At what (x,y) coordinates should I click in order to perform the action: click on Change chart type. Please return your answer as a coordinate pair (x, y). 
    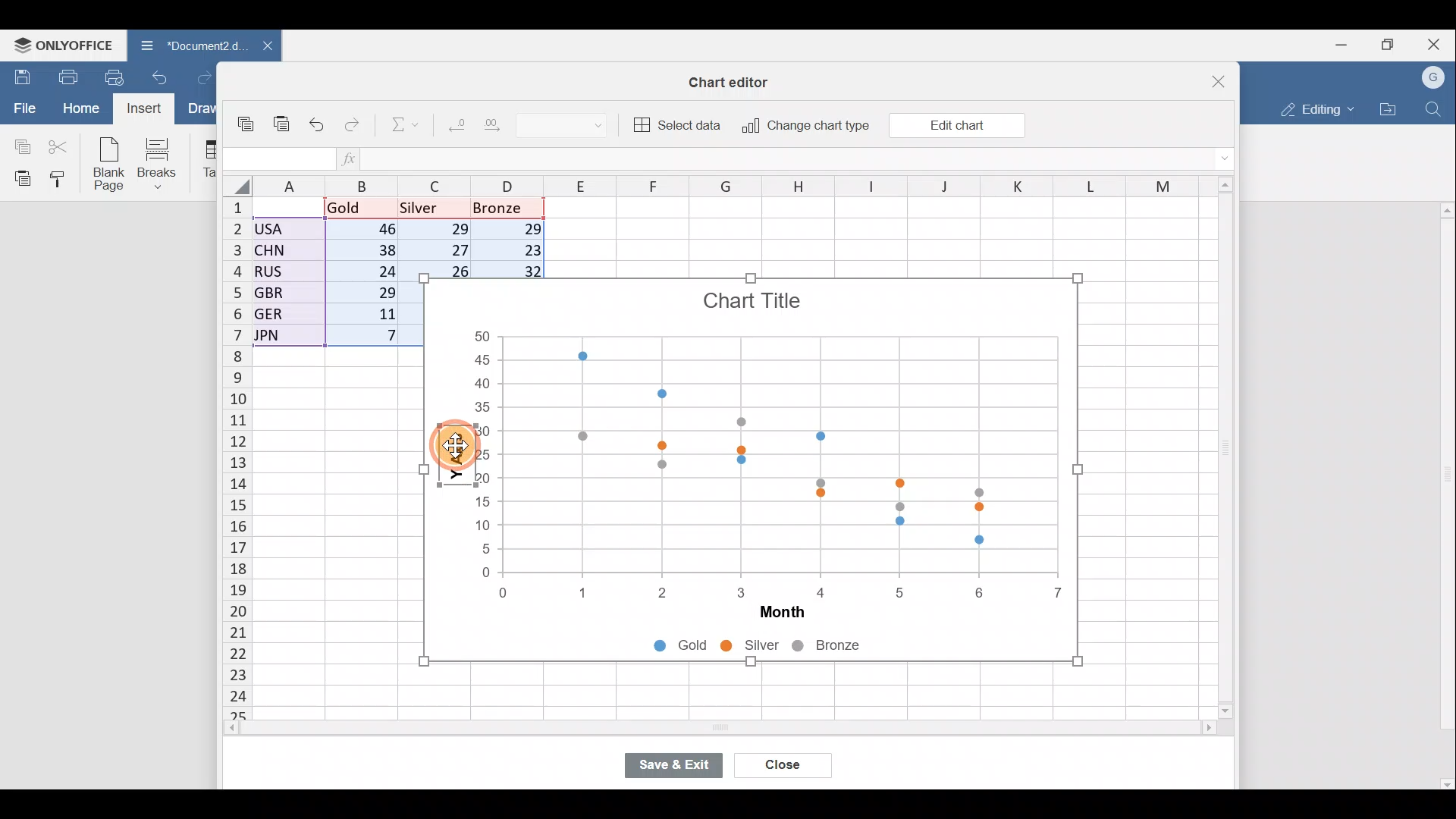
    Looking at the image, I should click on (805, 126).